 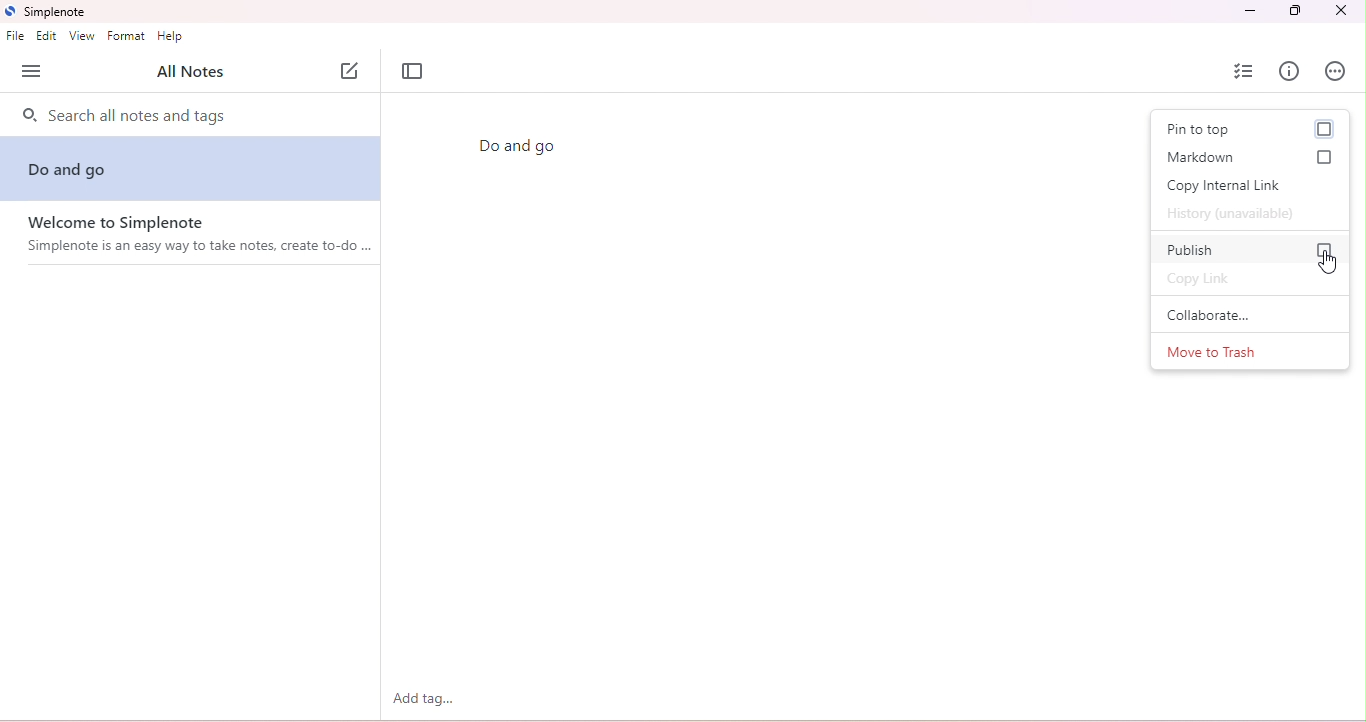 What do you see at coordinates (1321, 248) in the screenshot?
I see `checkbox` at bounding box center [1321, 248].